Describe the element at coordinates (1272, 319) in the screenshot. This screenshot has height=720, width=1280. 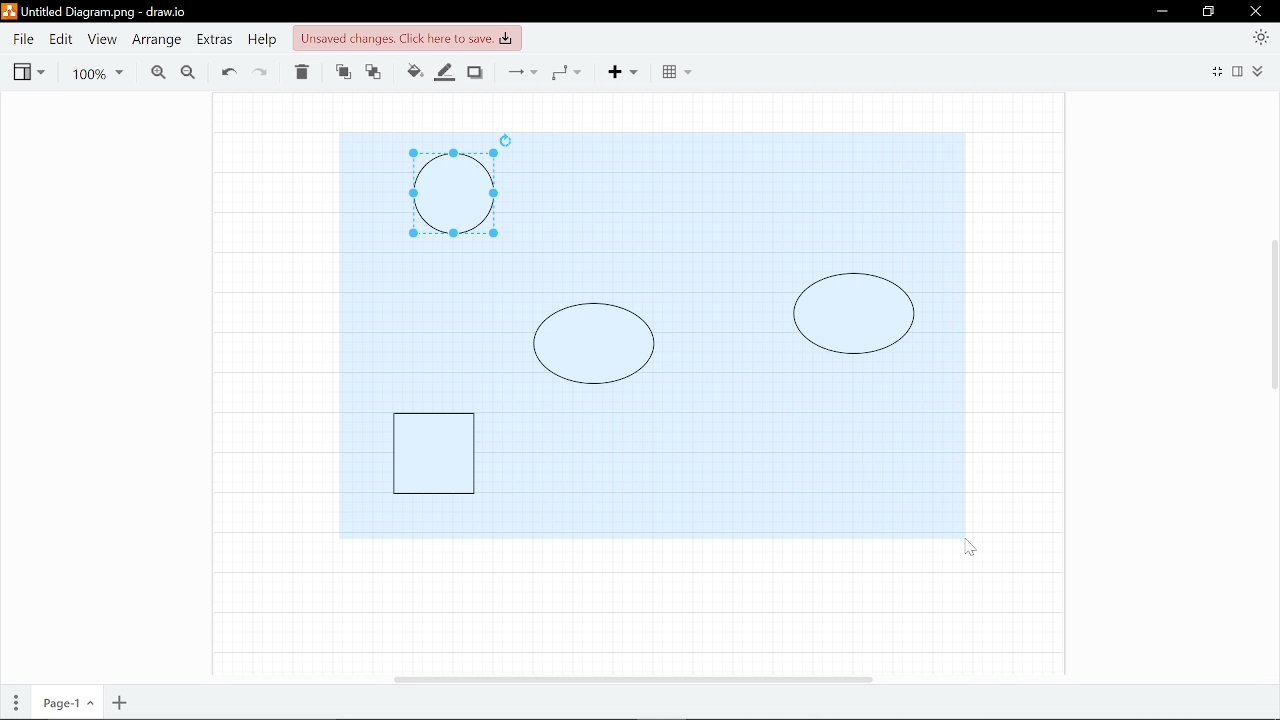
I see `Vertical scrollbar` at that location.